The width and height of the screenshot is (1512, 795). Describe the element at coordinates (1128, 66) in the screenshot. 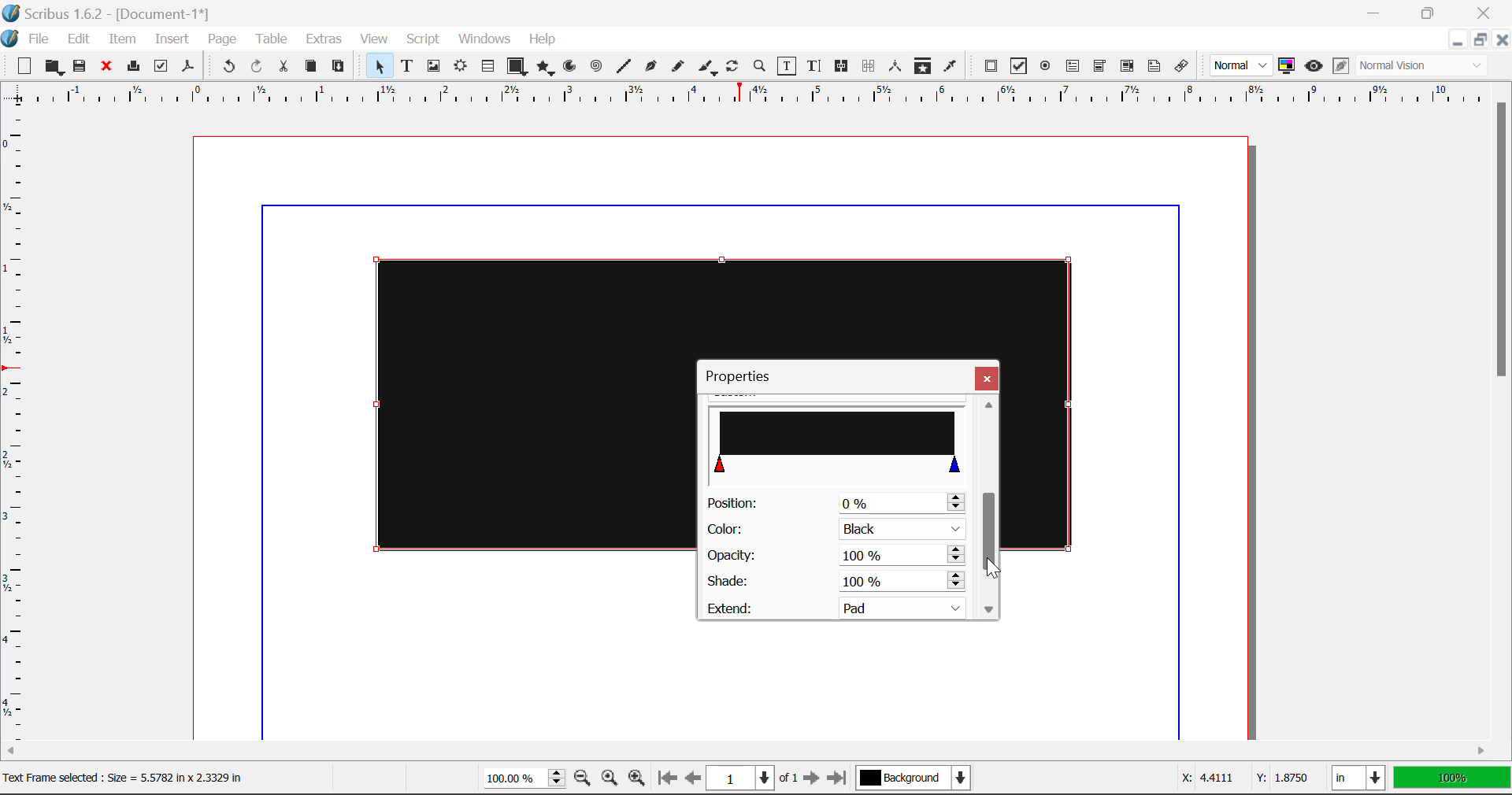

I see `PDF List Box` at that location.